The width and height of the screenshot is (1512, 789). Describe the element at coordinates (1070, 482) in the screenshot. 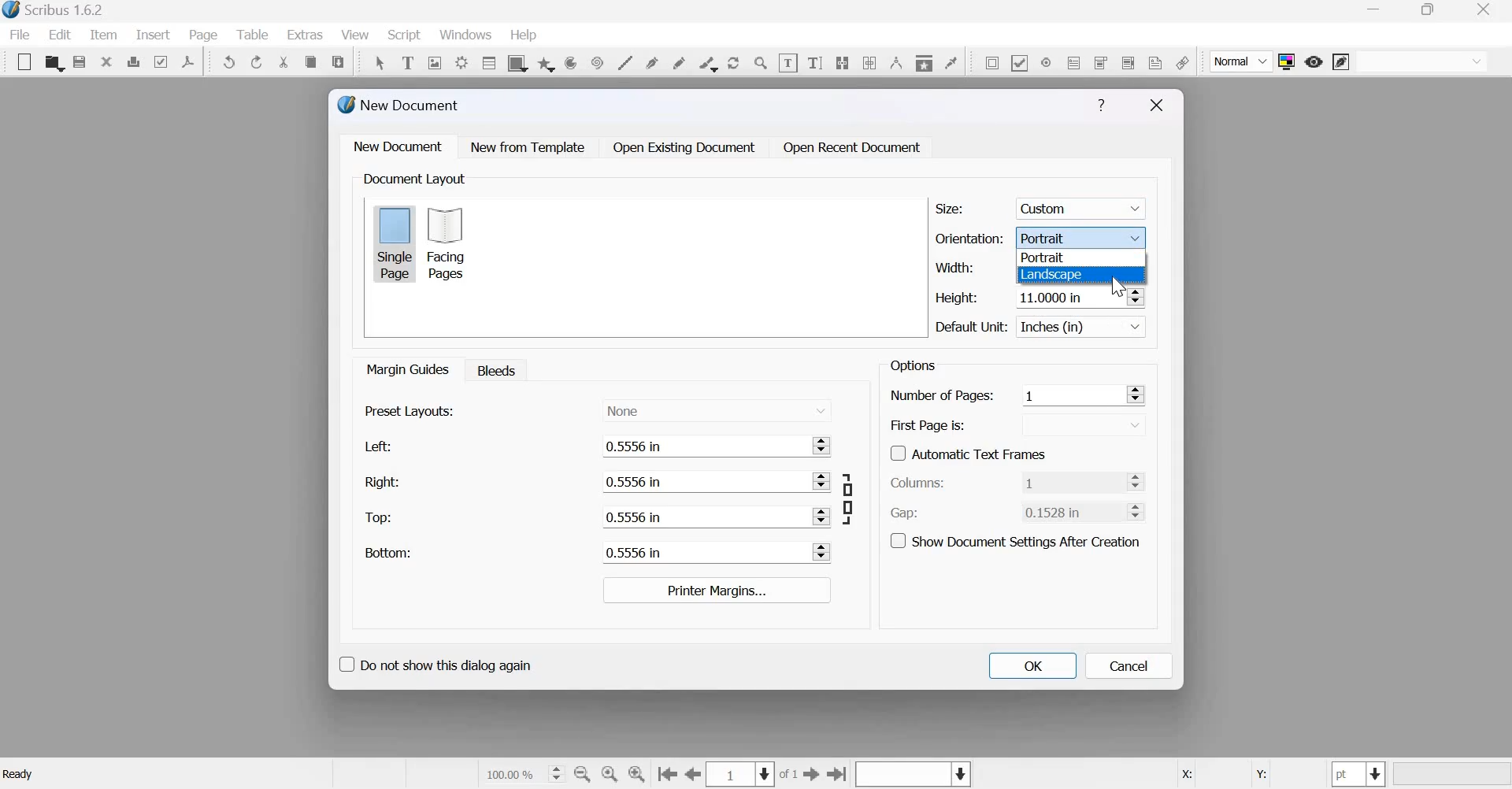

I see `1` at that location.